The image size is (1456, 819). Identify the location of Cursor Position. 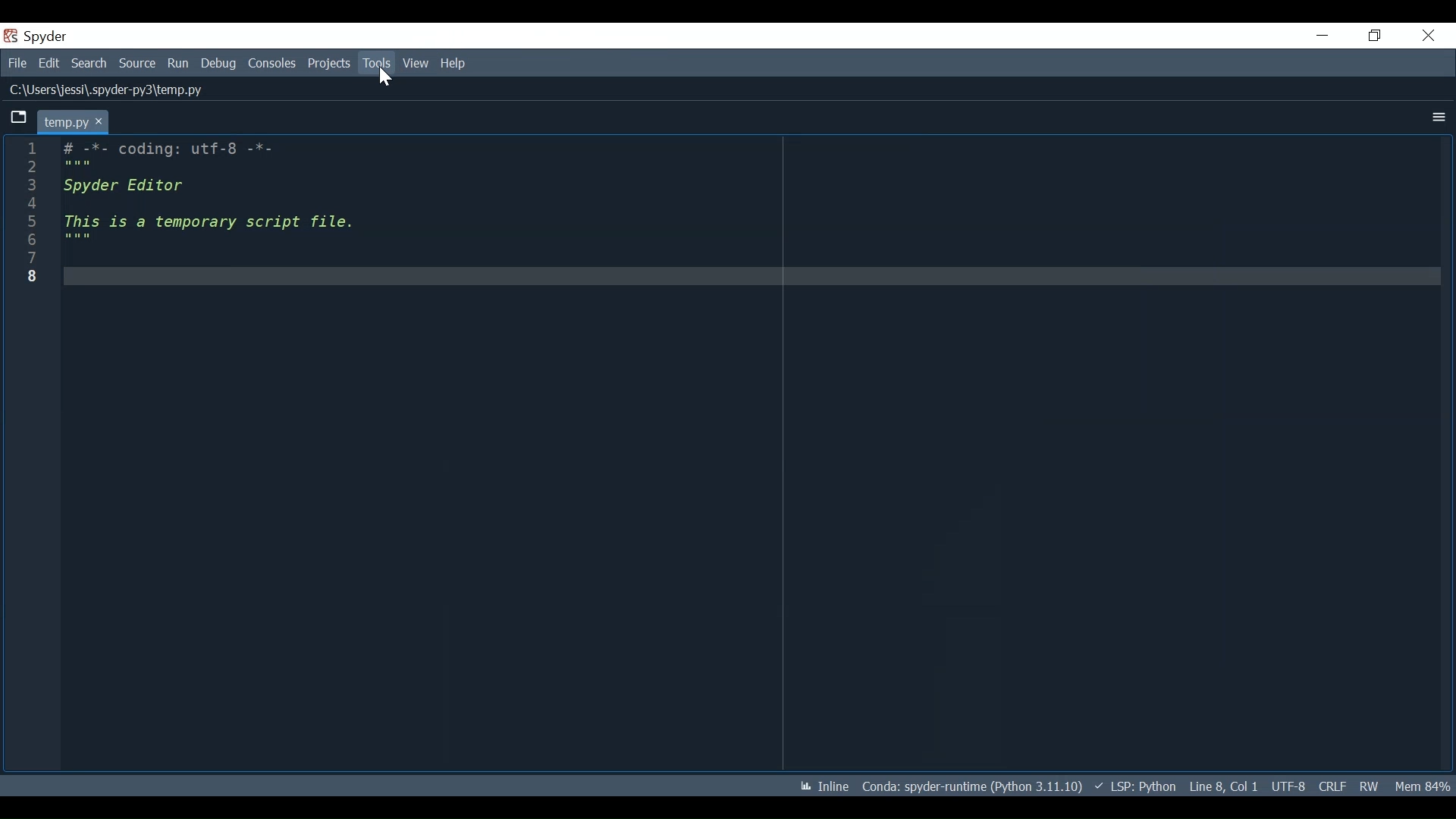
(1223, 786).